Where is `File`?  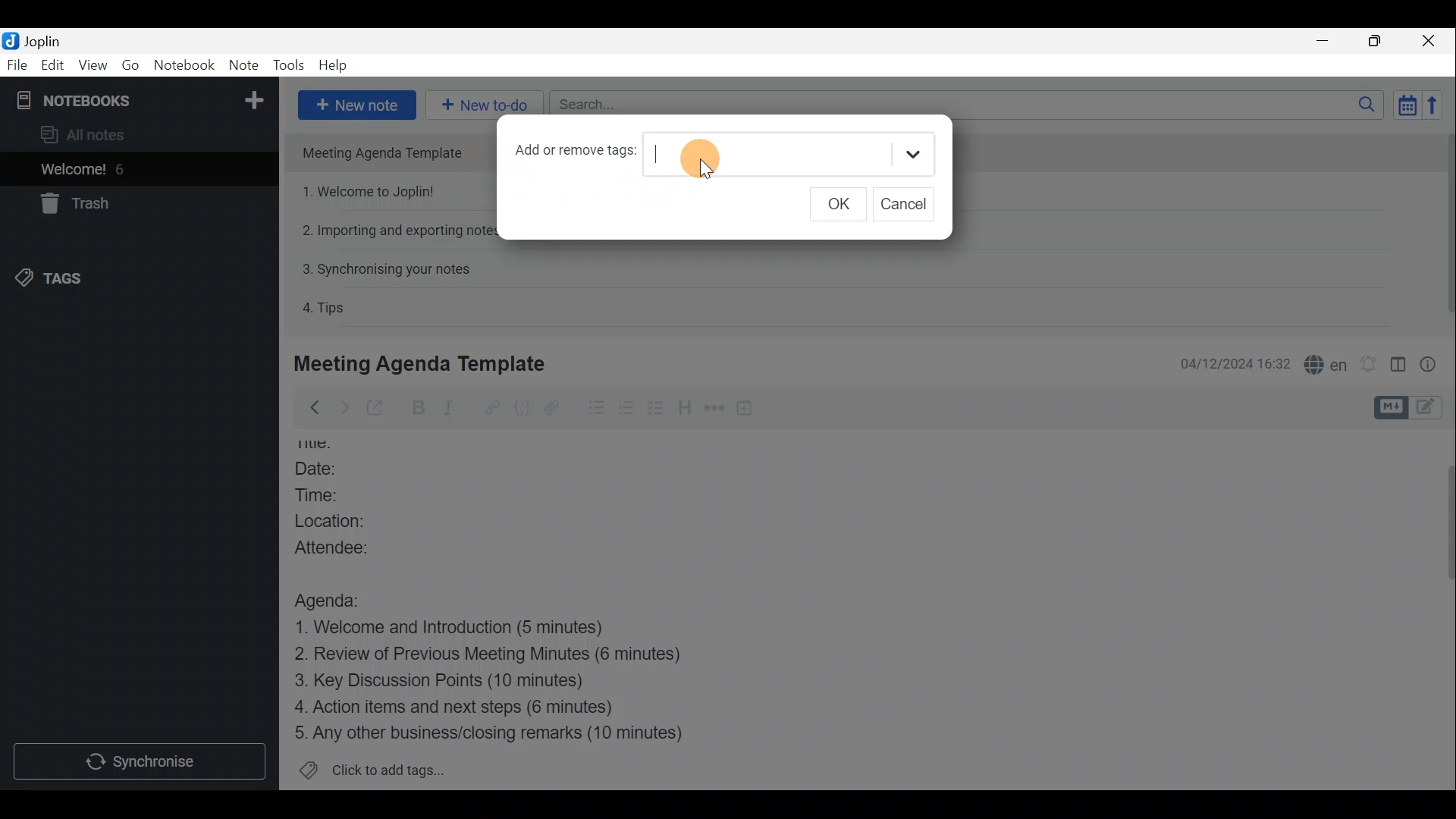
File is located at coordinates (17, 64).